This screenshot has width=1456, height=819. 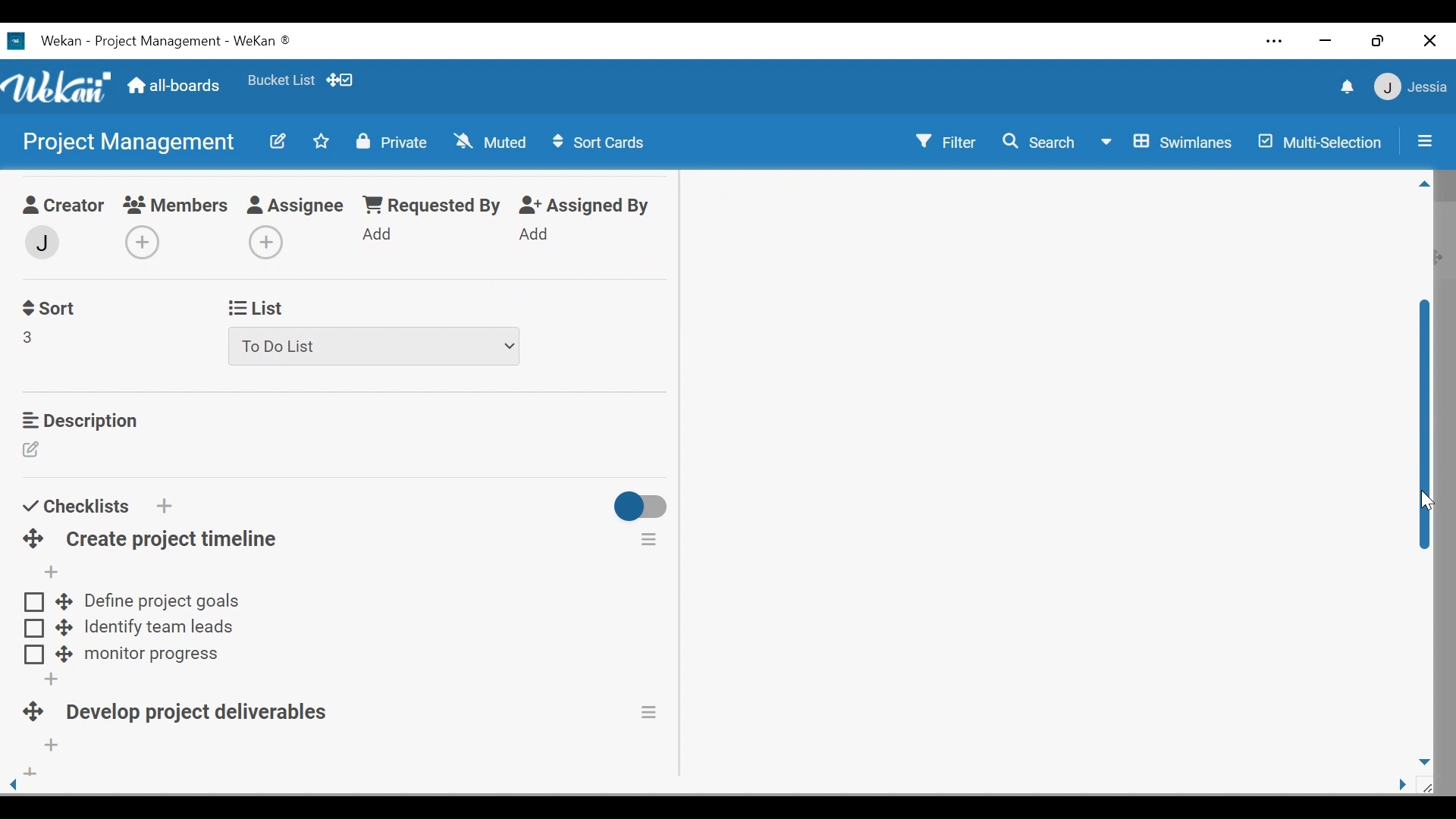 What do you see at coordinates (281, 80) in the screenshot?
I see `Favorite` at bounding box center [281, 80].